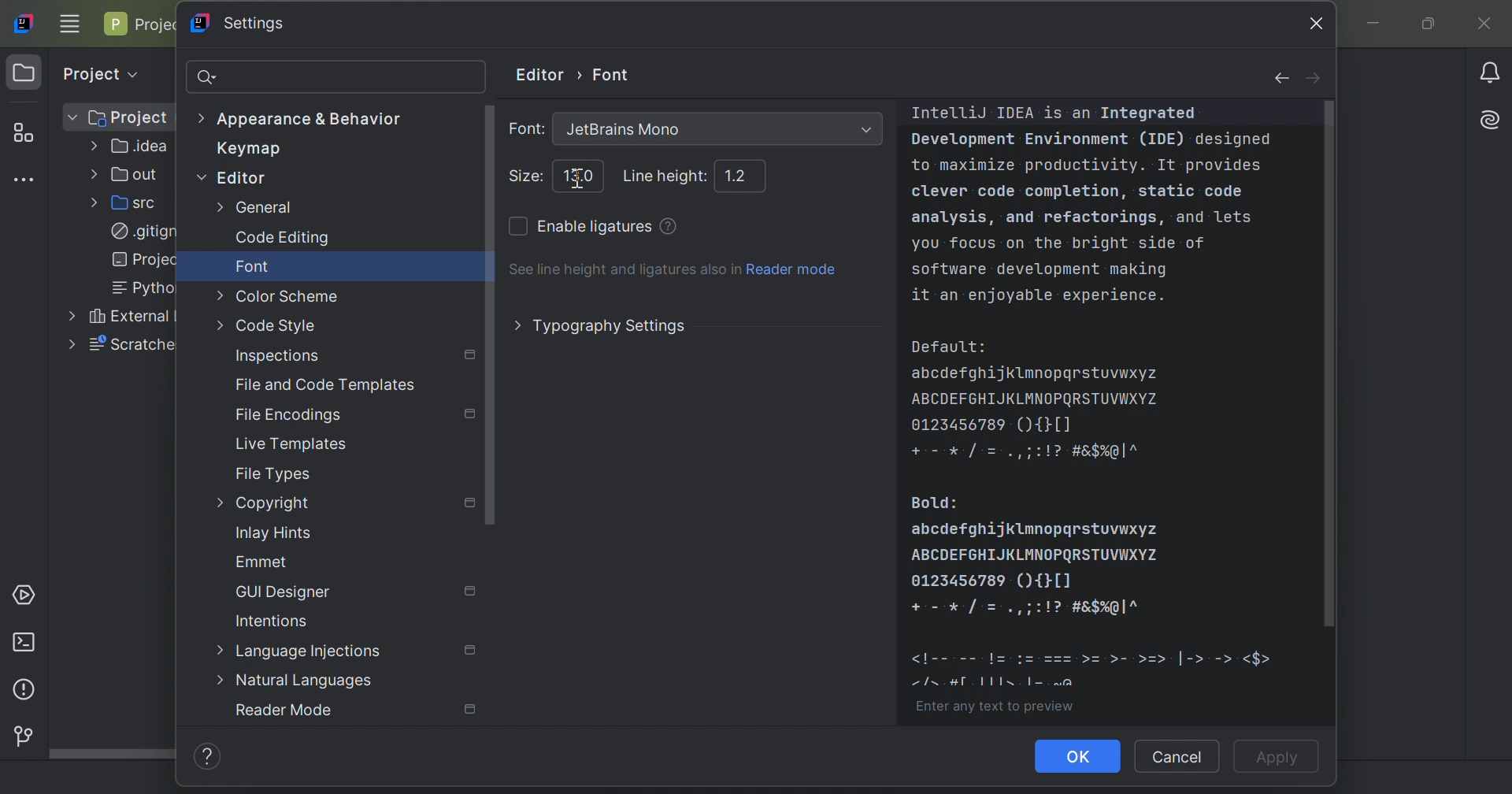 This screenshot has width=1512, height=794. Describe the element at coordinates (132, 202) in the screenshot. I see `src` at that location.